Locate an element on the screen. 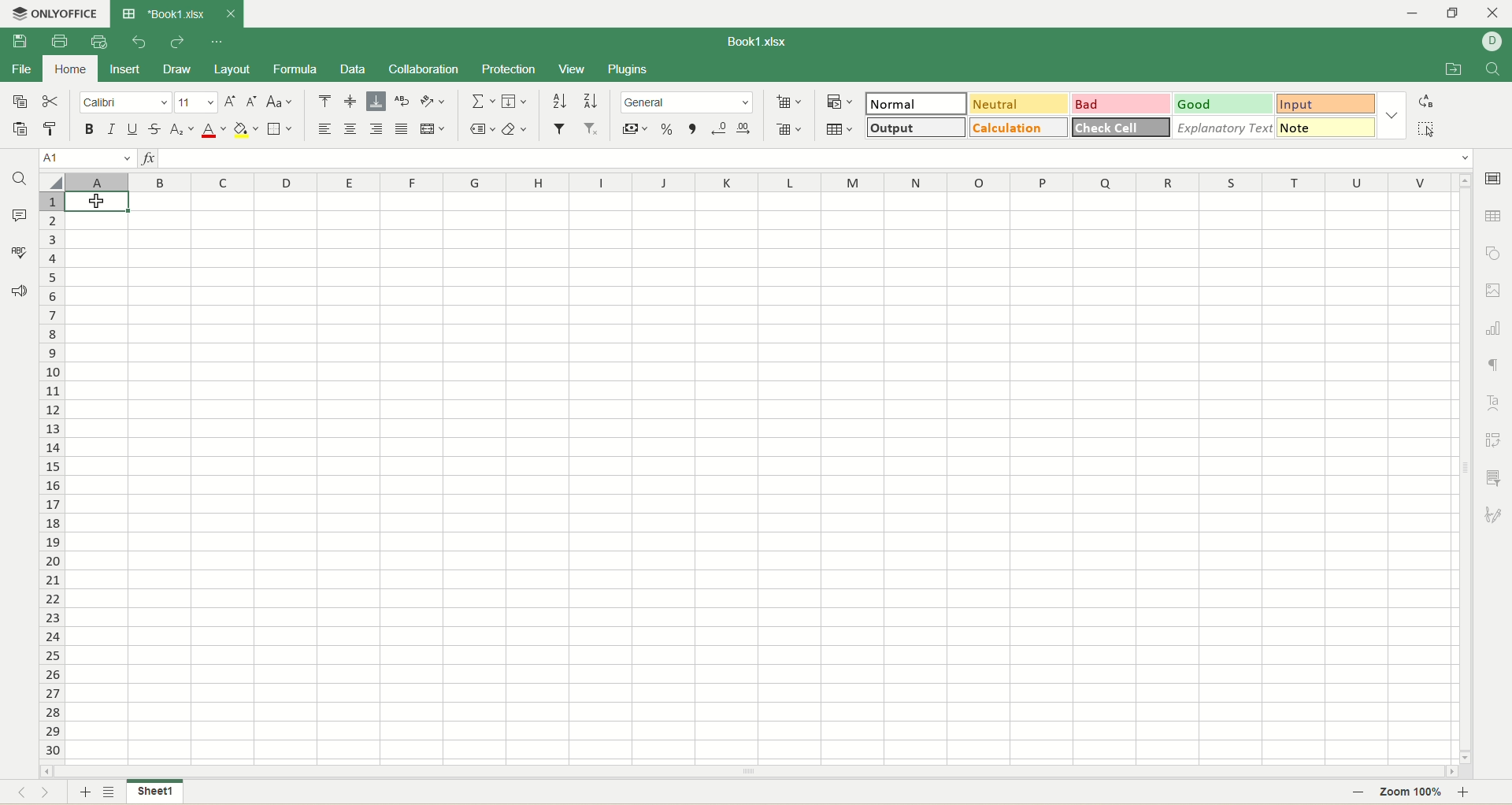 Image resolution: width=1512 pixels, height=805 pixels. justified is located at coordinates (402, 130).